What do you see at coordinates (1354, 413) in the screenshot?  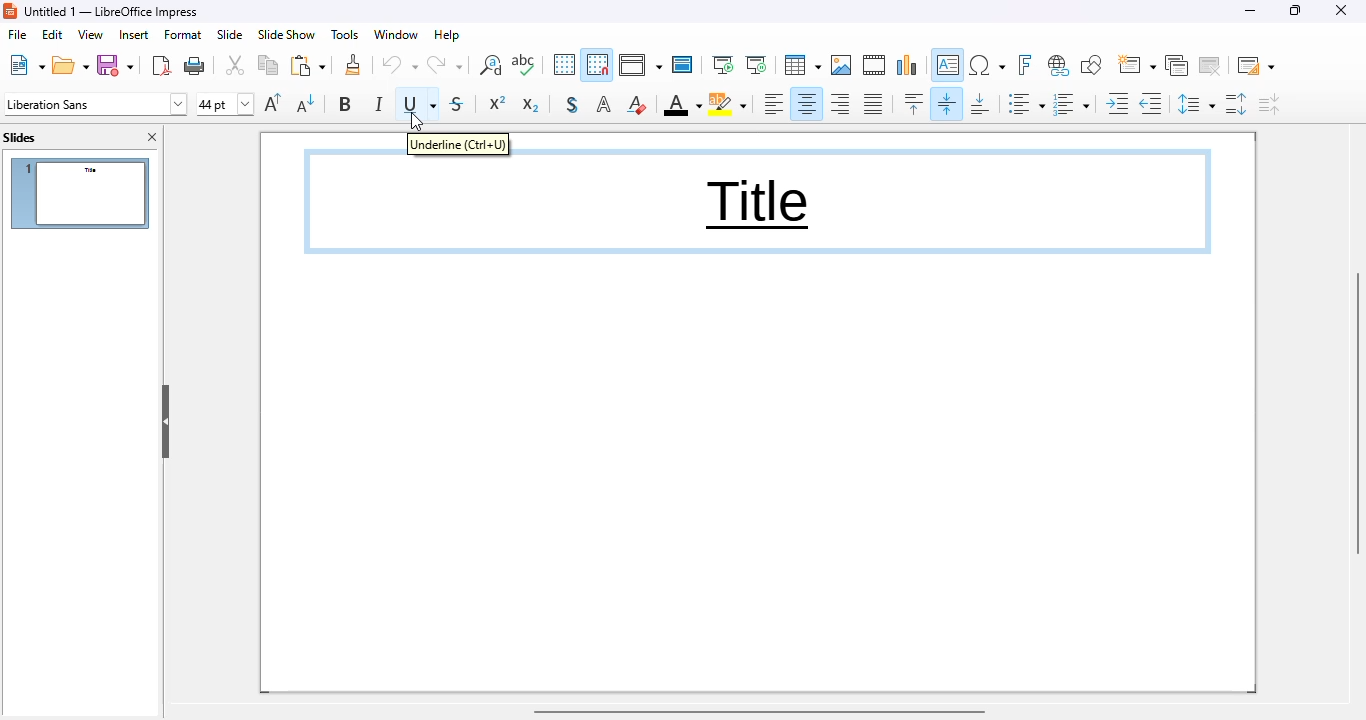 I see `vertical scroll bar` at bounding box center [1354, 413].